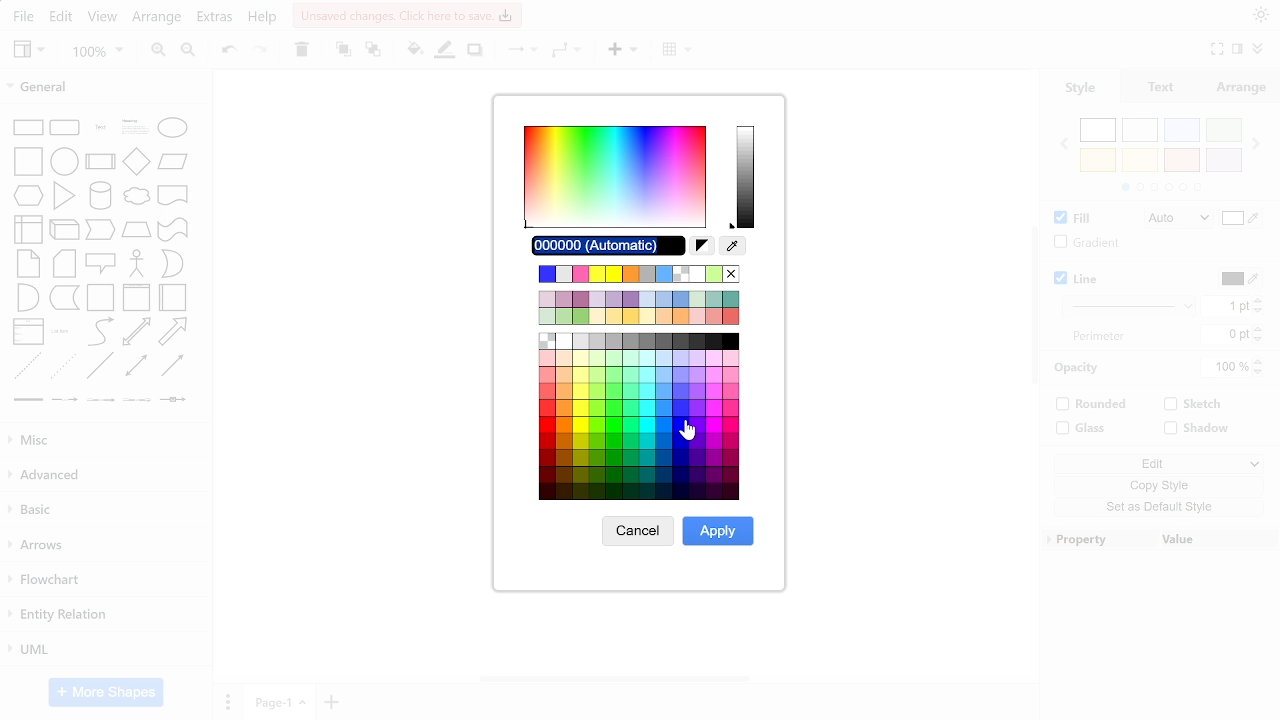 This screenshot has height=720, width=1280. Describe the element at coordinates (1131, 305) in the screenshot. I see `line style` at that location.